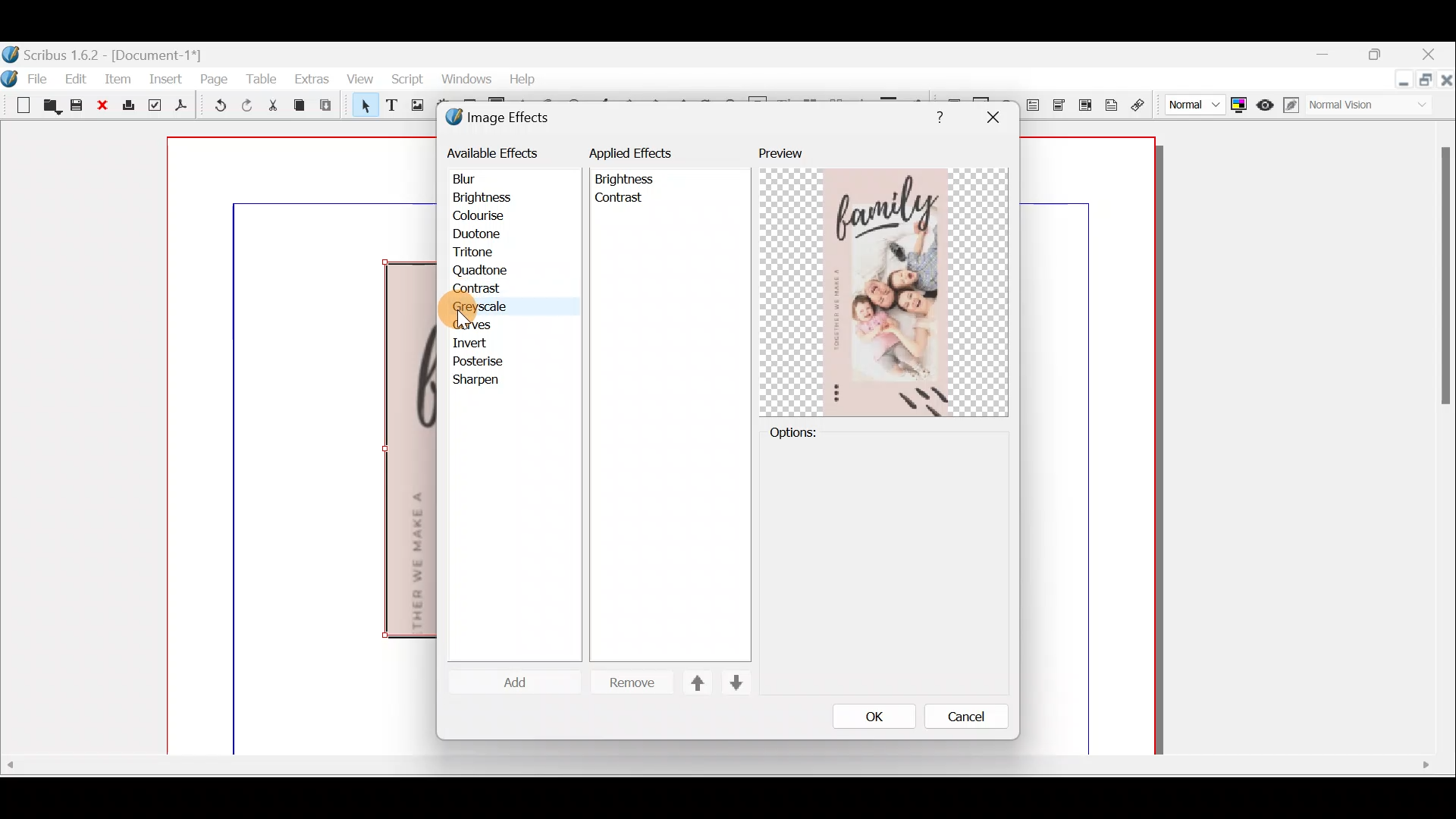  What do you see at coordinates (165, 83) in the screenshot?
I see `Insert` at bounding box center [165, 83].